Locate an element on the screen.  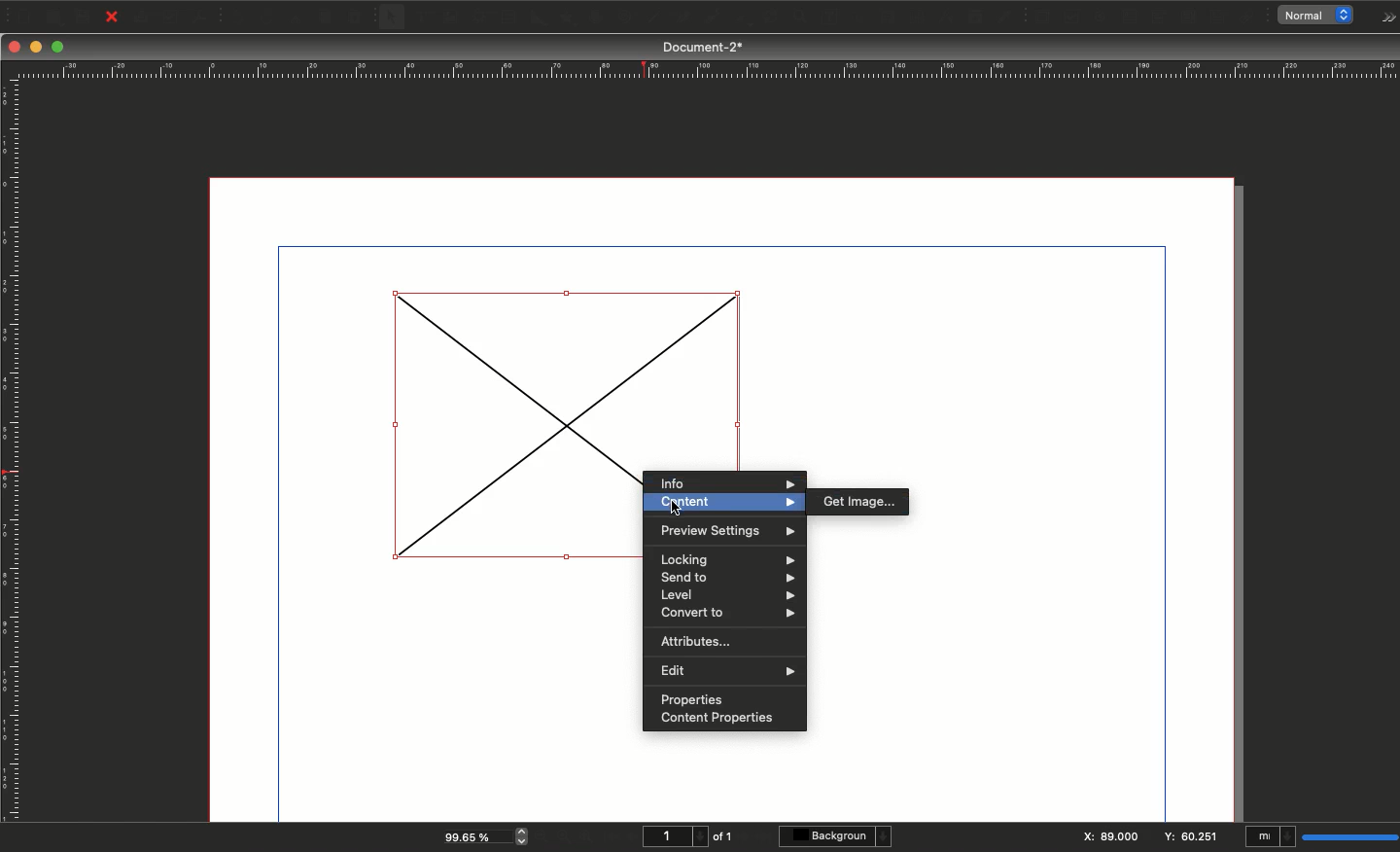
Spiral is located at coordinates (628, 19).